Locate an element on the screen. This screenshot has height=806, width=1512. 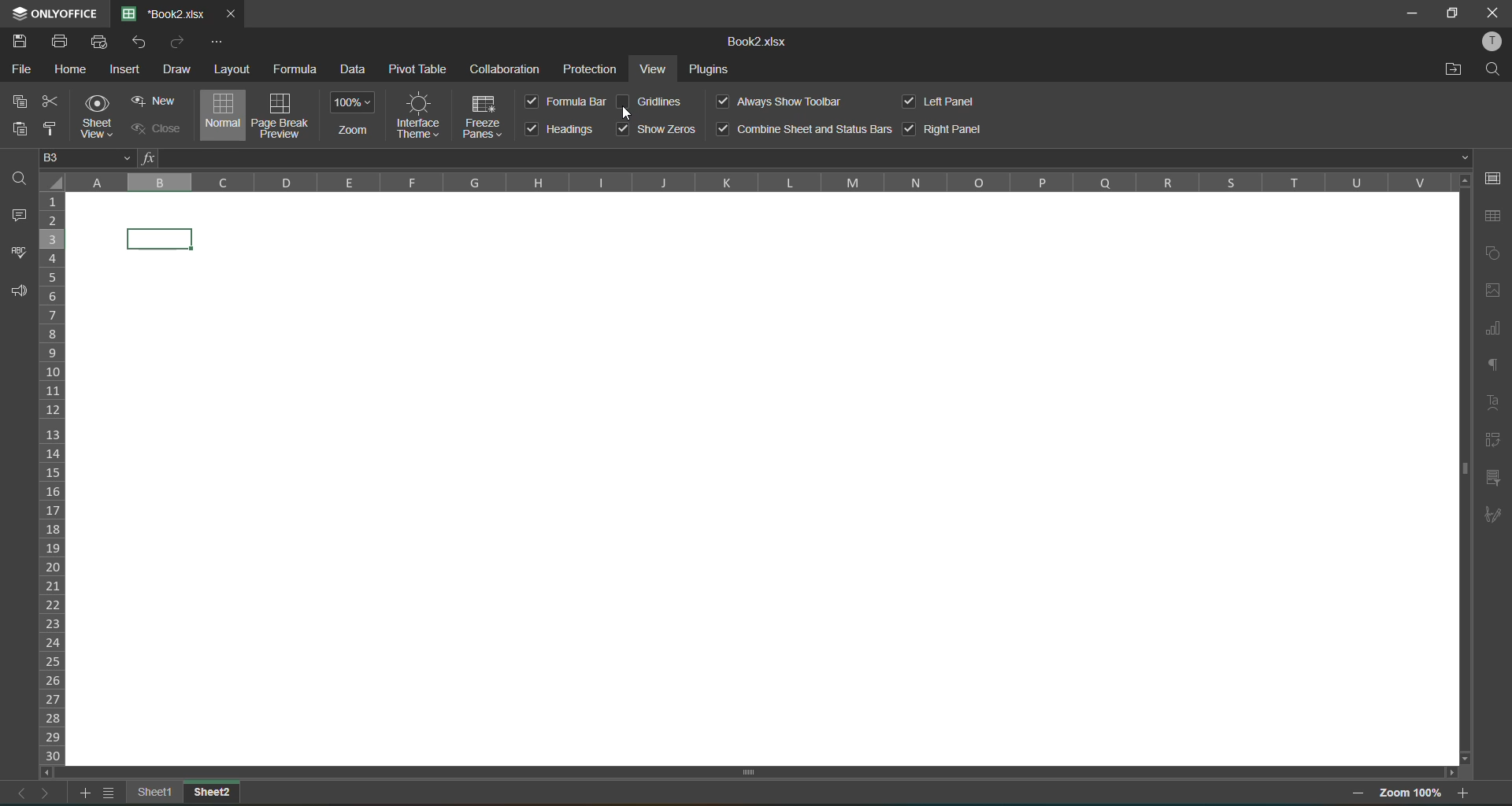
left panel is located at coordinates (944, 102).